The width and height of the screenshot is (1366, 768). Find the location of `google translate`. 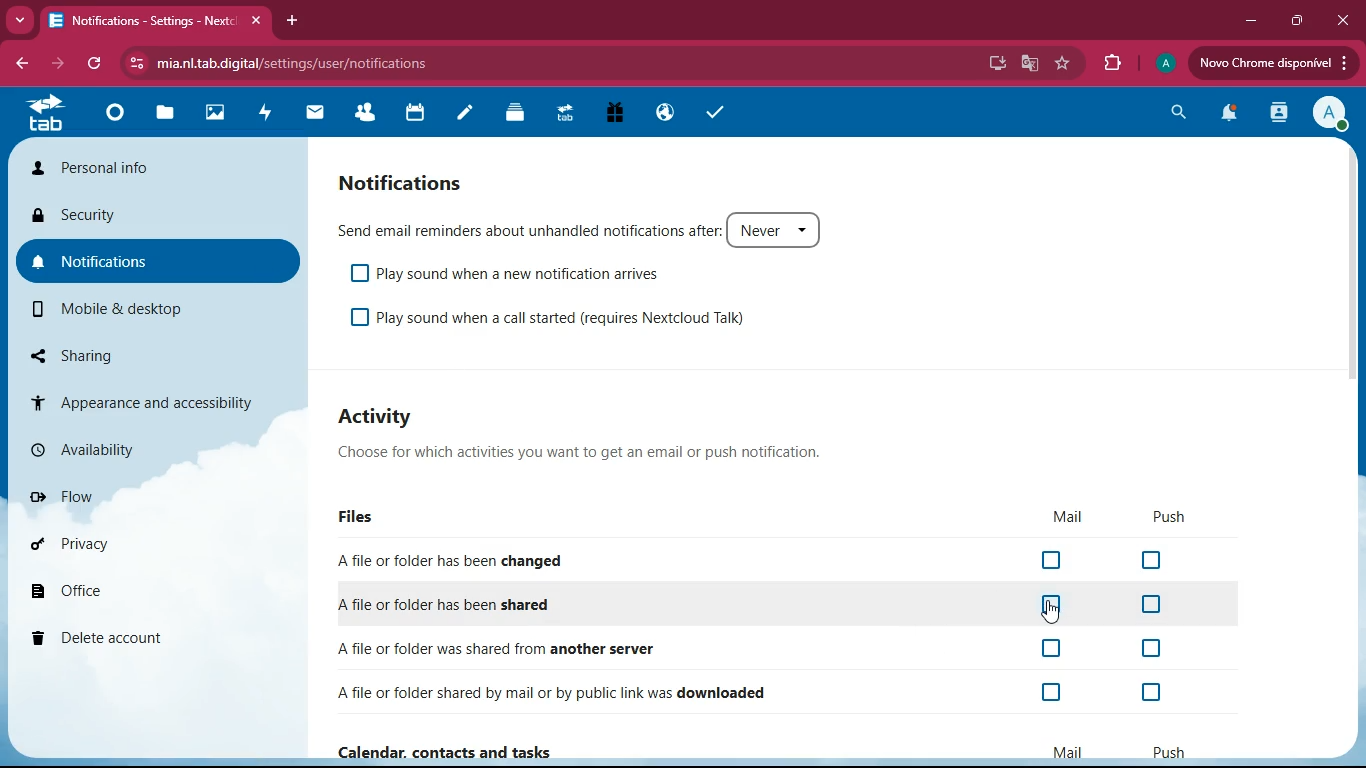

google translate is located at coordinates (1027, 64).